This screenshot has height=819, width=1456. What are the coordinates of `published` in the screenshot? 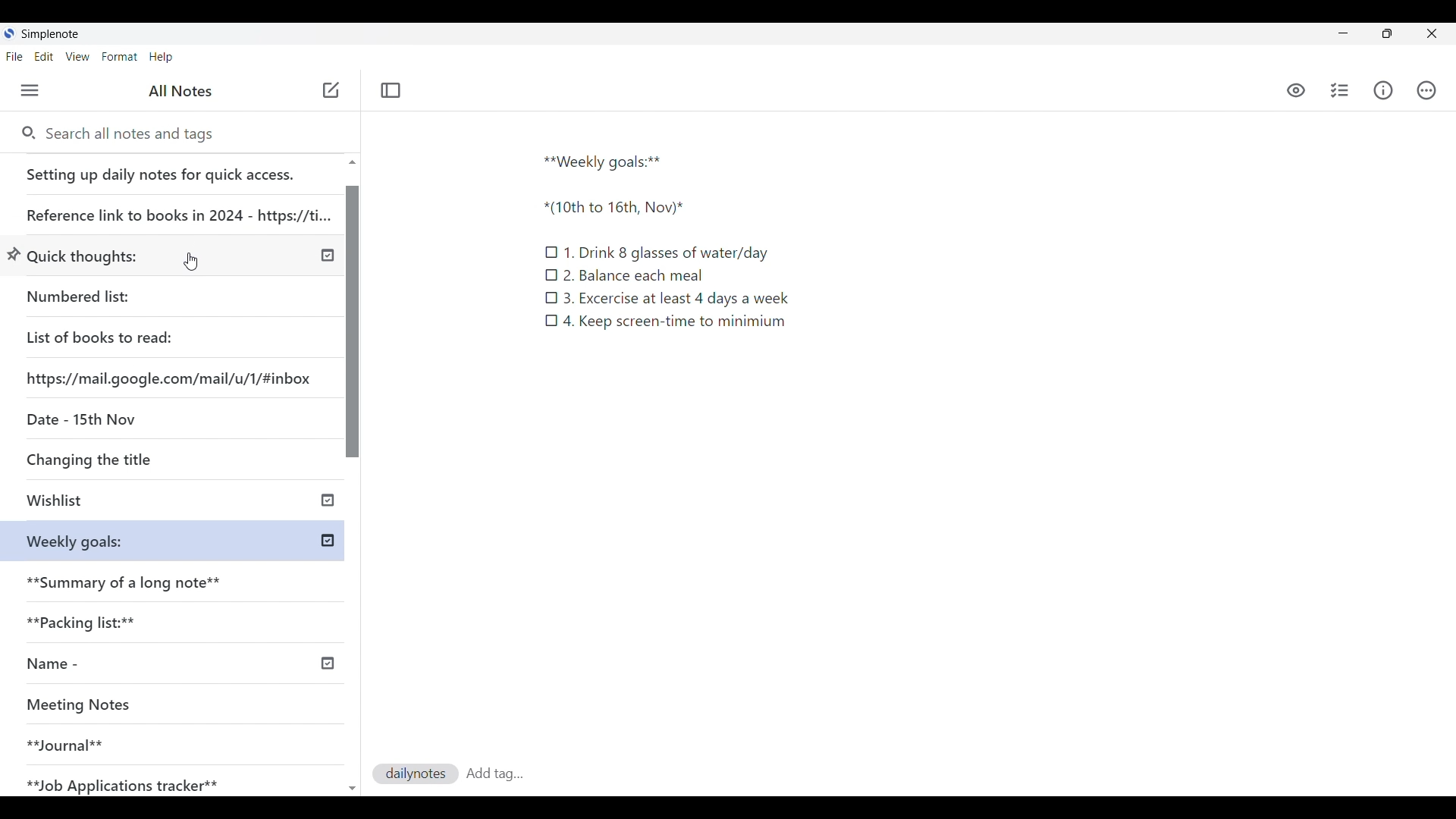 It's located at (326, 664).